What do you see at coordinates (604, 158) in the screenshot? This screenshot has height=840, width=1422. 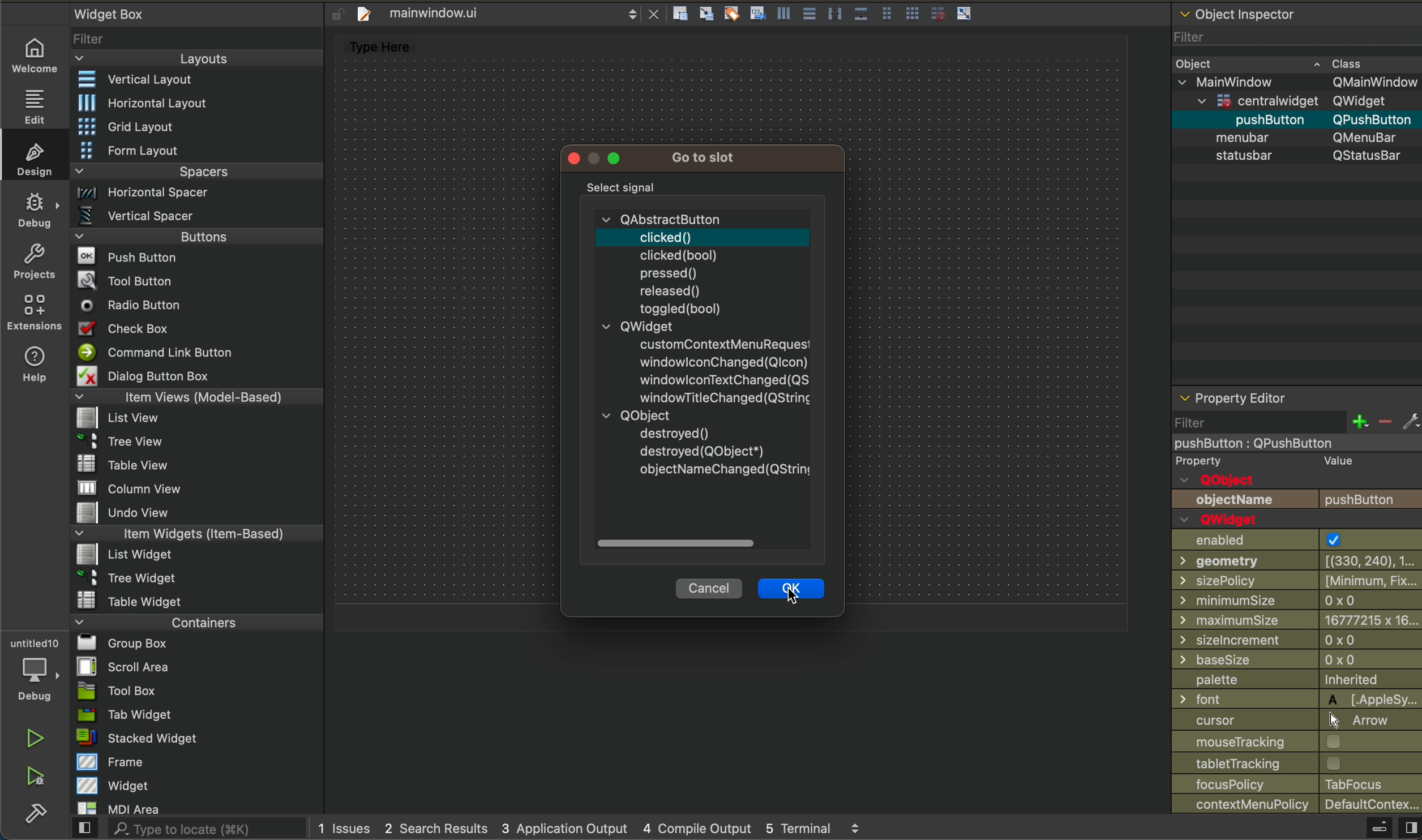 I see `window menus` at bounding box center [604, 158].